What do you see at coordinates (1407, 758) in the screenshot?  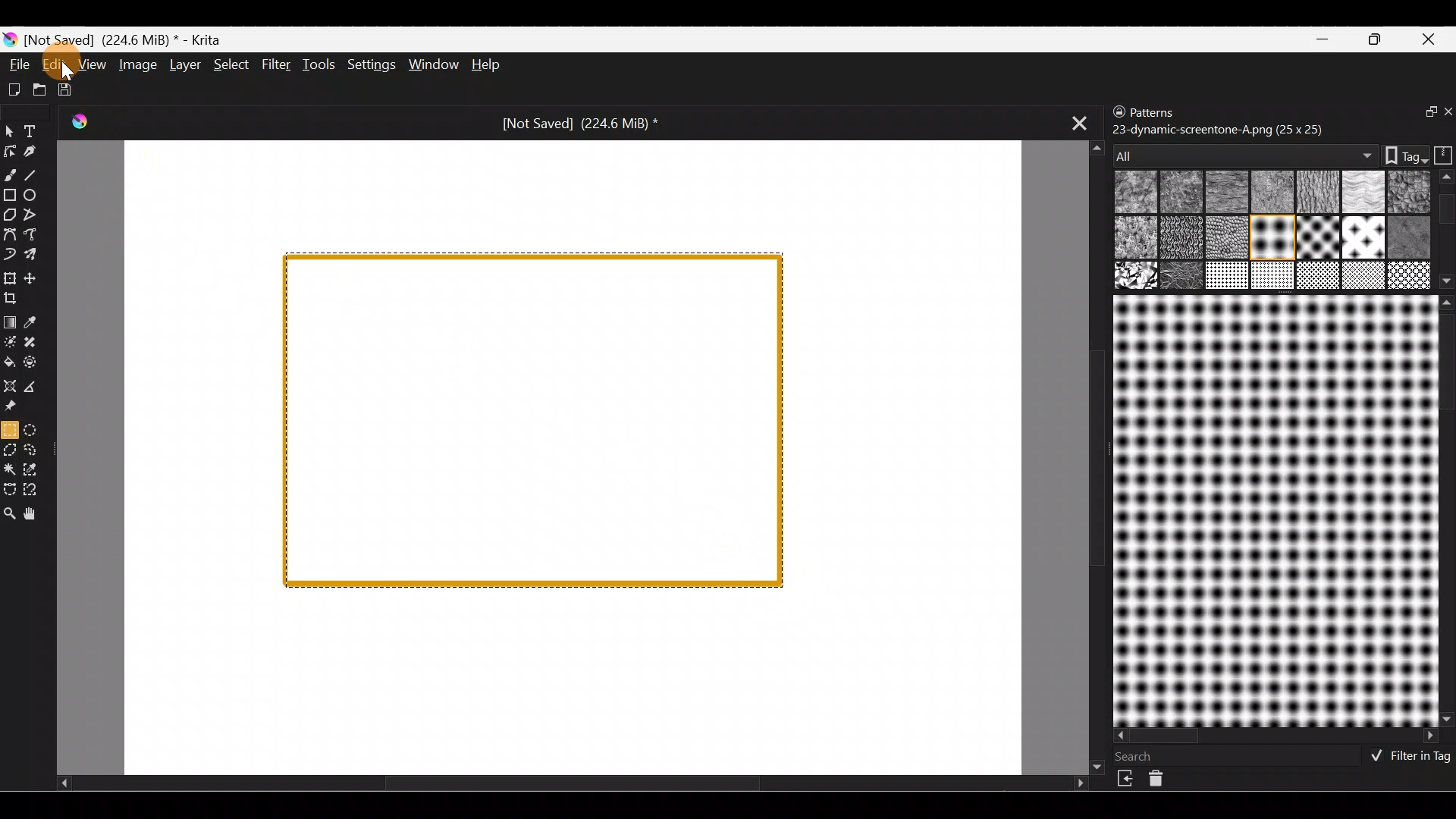 I see `Filter in tag` at bounding box center [1407, 758].